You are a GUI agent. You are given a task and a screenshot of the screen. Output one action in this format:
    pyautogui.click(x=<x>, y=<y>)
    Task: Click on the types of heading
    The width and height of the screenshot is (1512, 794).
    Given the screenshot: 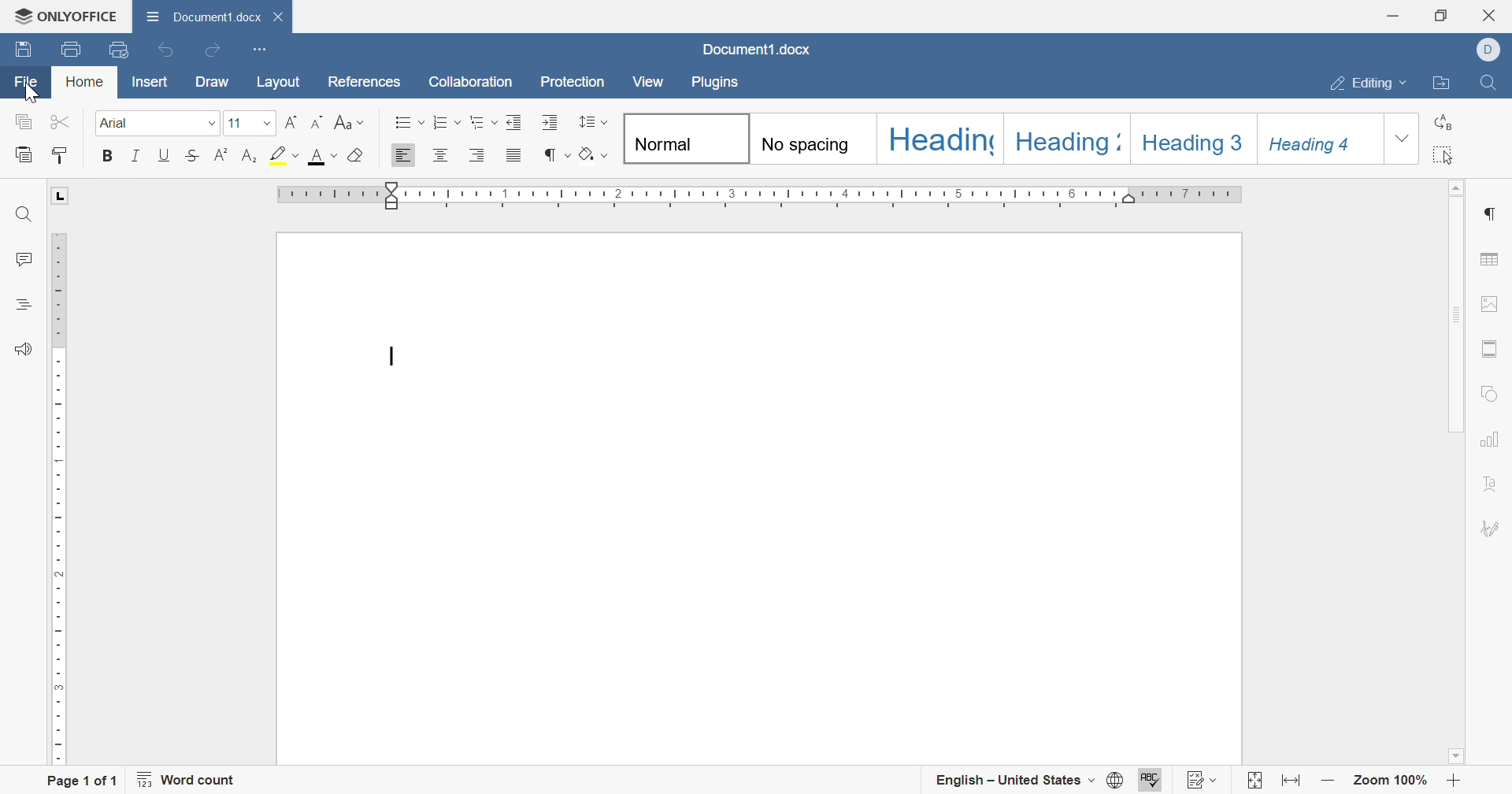 What is the action you would take?
    pyautogui.click(x=1002, y=135)
    